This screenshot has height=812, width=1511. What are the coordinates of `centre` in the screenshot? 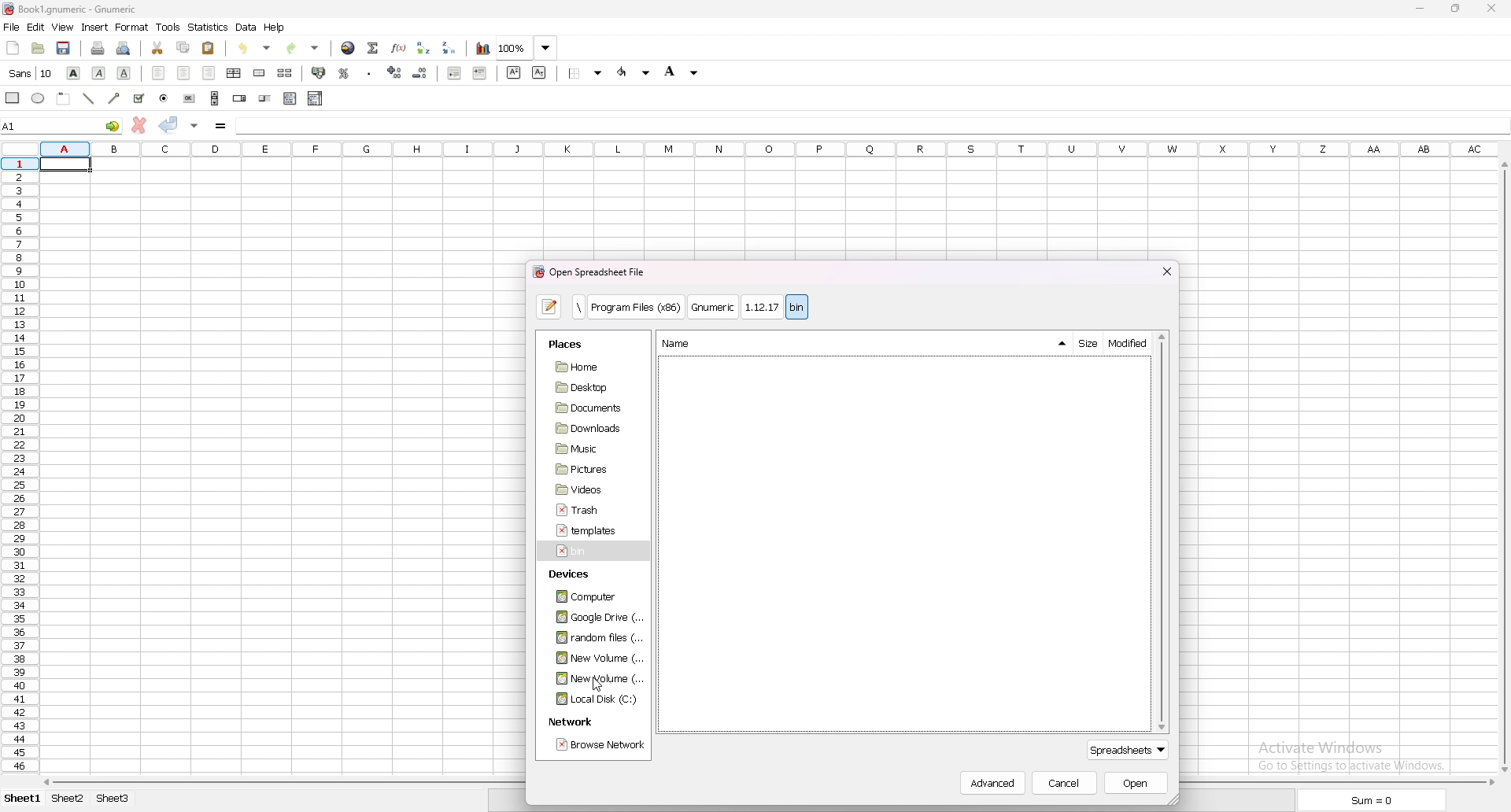 It's located at (184, 73).